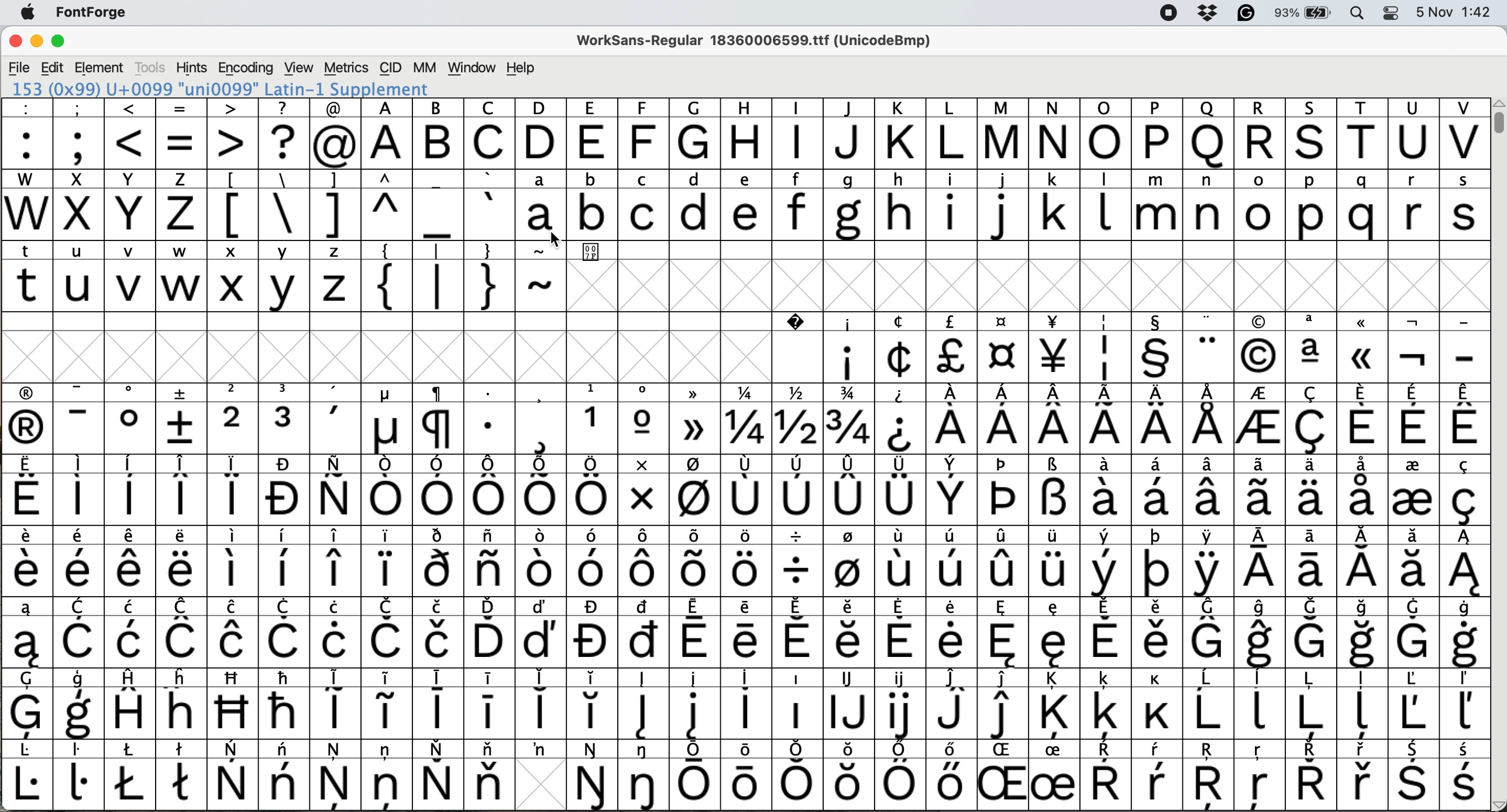 The image size is (1507, 812). I want to click on symbol, so click(183, 632).